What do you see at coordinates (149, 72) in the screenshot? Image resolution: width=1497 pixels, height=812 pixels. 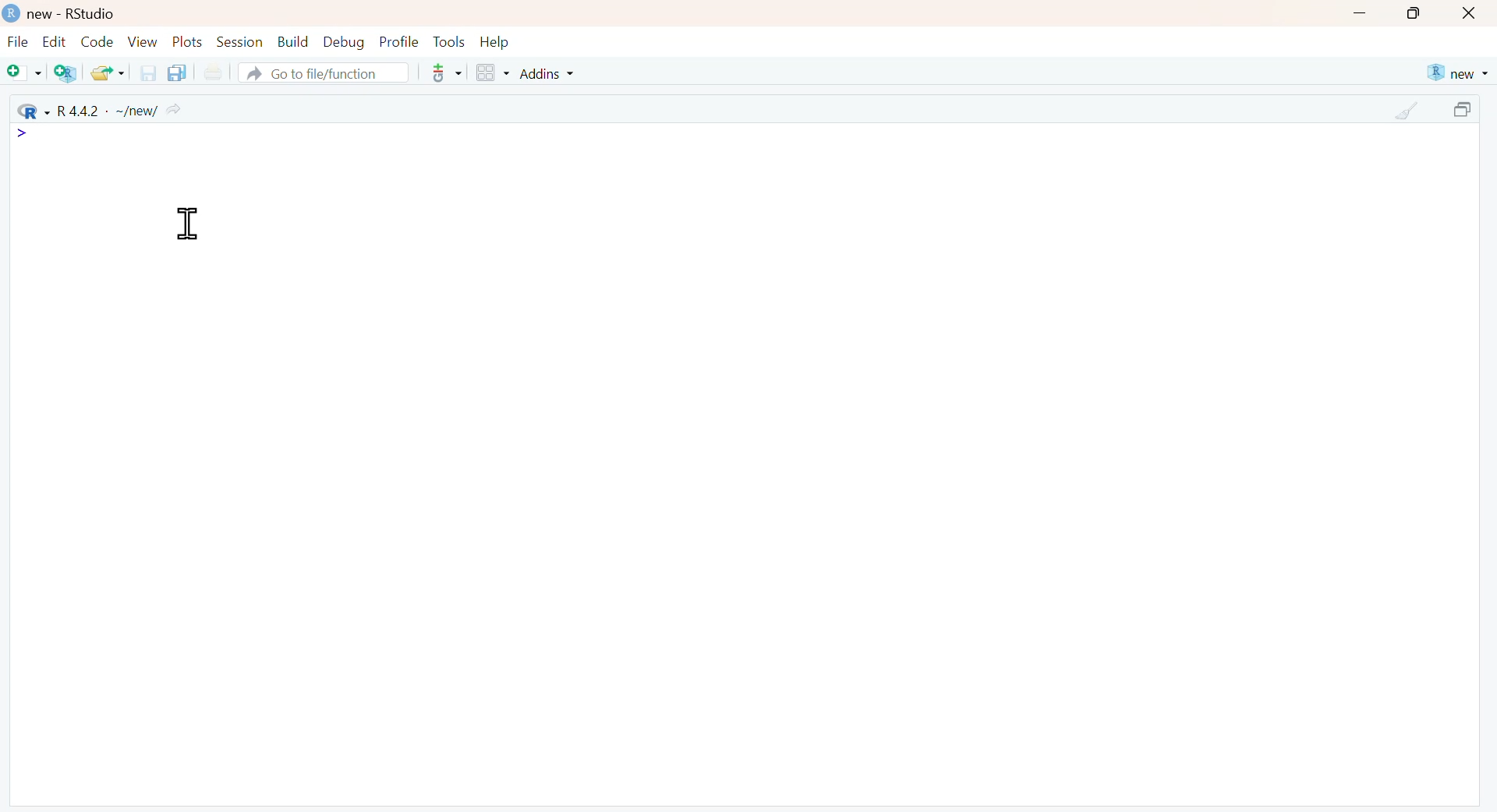 I see `Save the current document` at bounding box center [149, 72].